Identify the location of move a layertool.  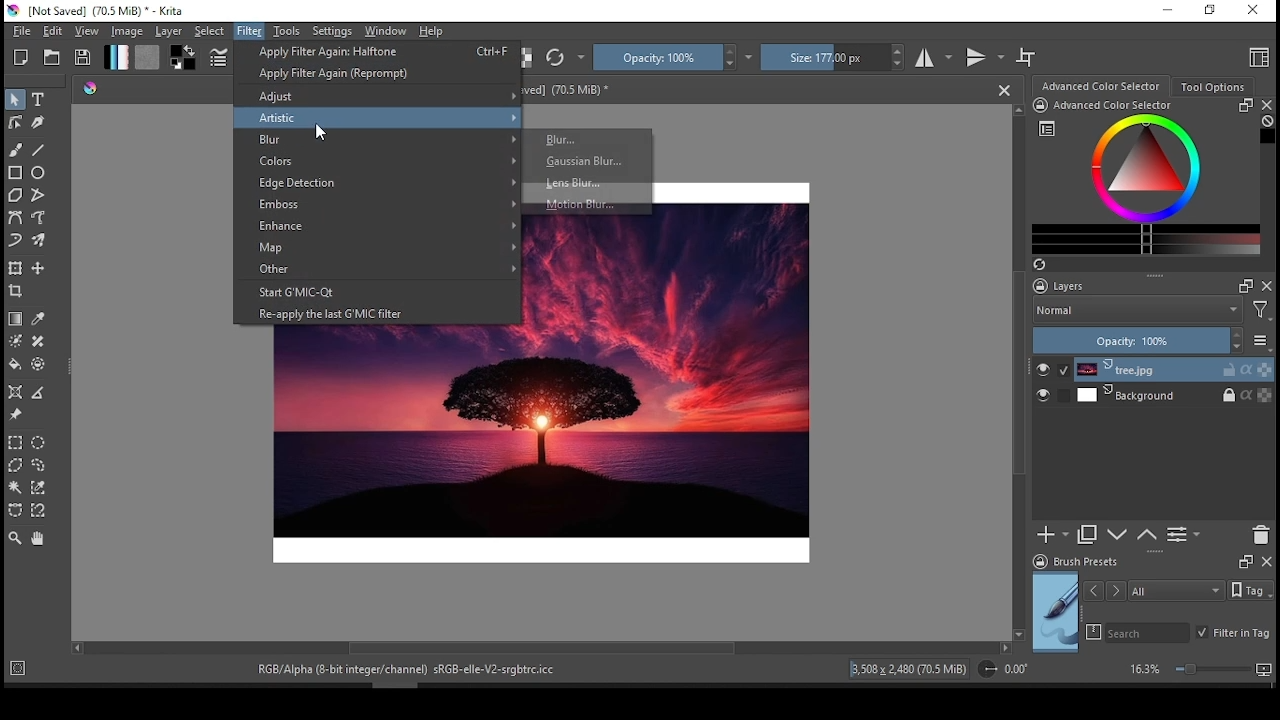
(40, 269).